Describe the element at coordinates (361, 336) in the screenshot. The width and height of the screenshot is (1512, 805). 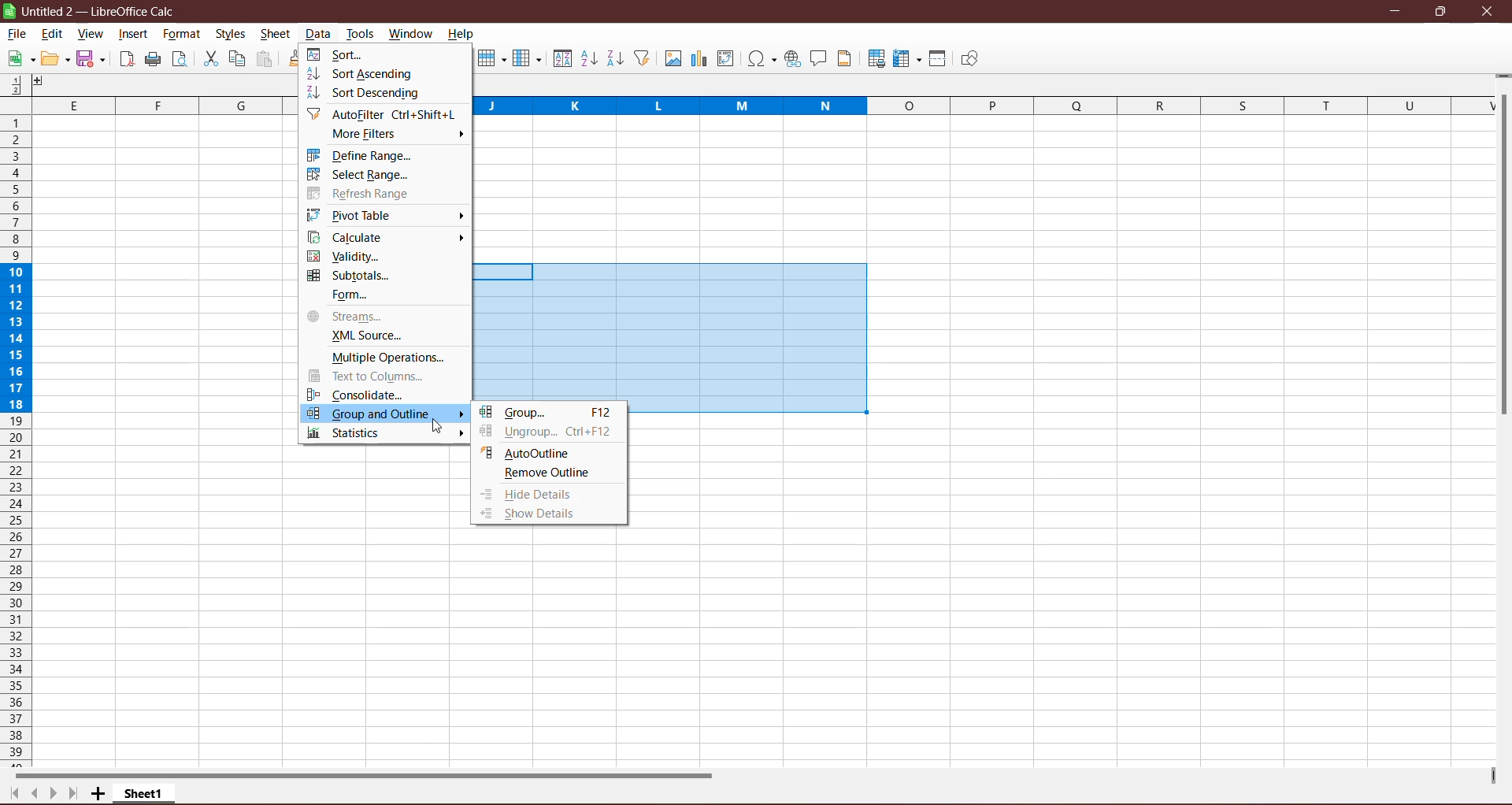
I see `XML Source` at that location.